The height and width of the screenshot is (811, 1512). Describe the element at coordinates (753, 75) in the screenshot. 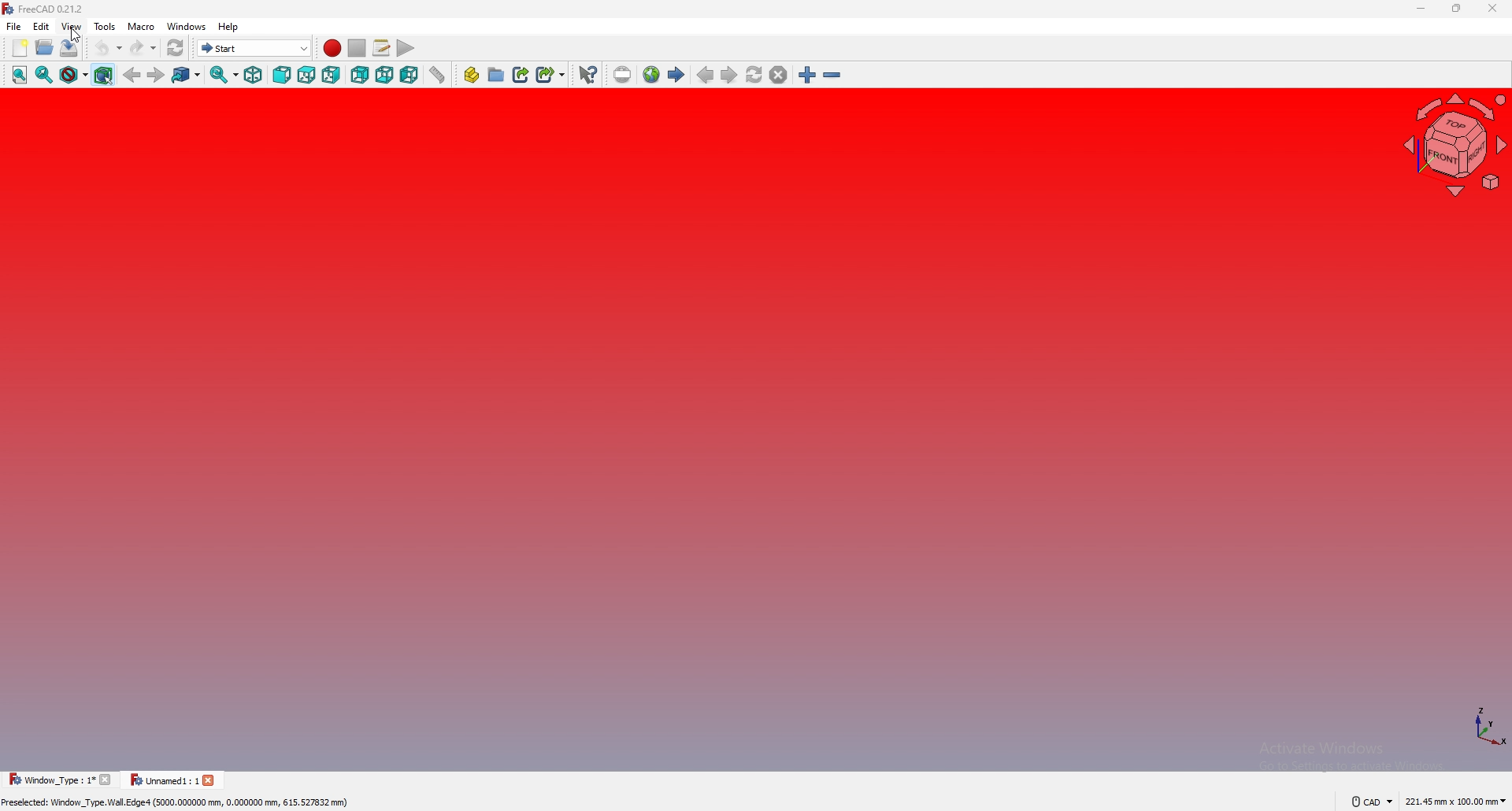

I see `refresh web page` at that location.